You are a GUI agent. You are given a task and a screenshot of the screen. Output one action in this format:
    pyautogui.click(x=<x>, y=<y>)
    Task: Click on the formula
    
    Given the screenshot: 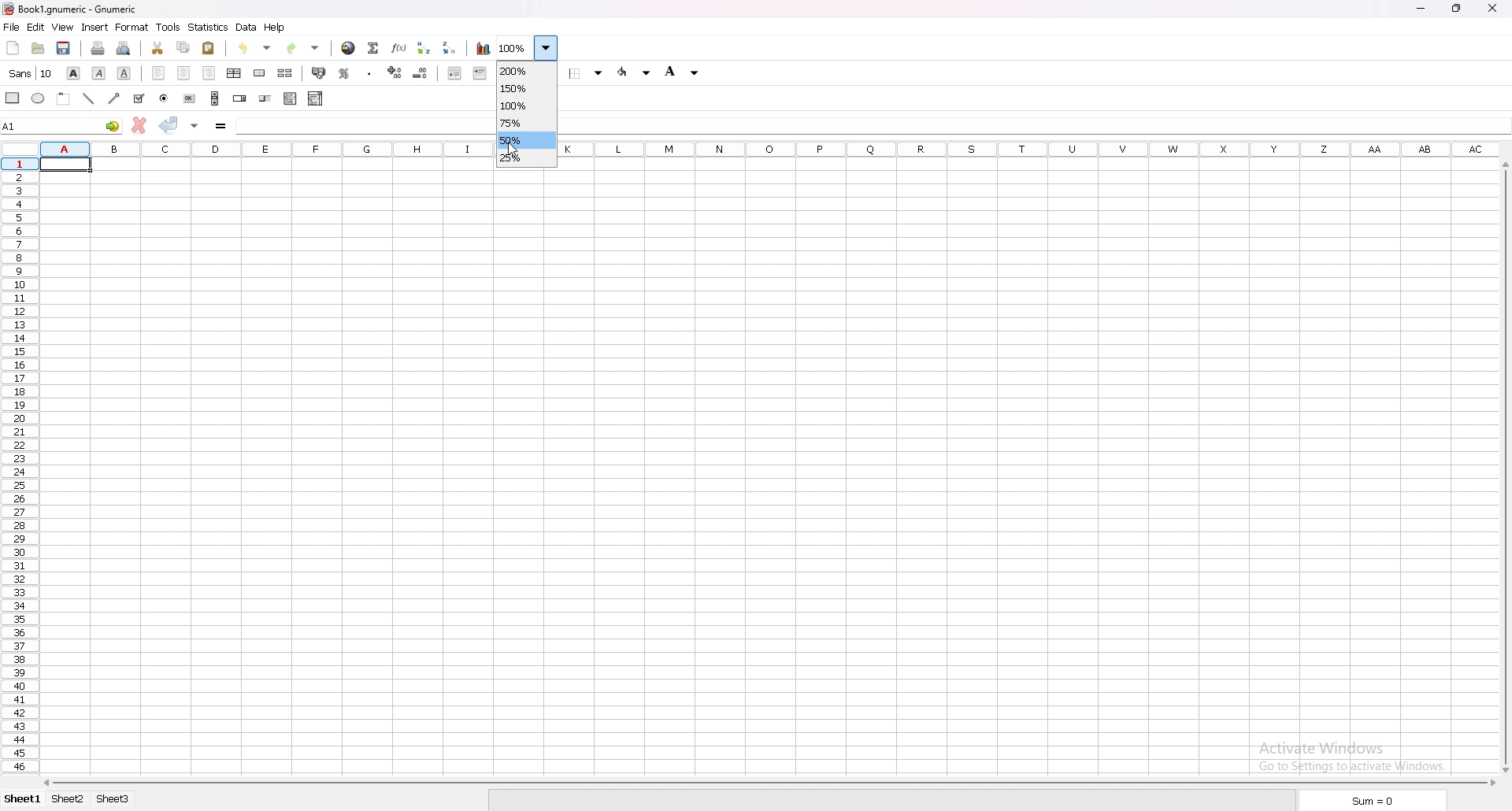 What is the action you would take?
    pyautogui.click(x=220, y=125)
    